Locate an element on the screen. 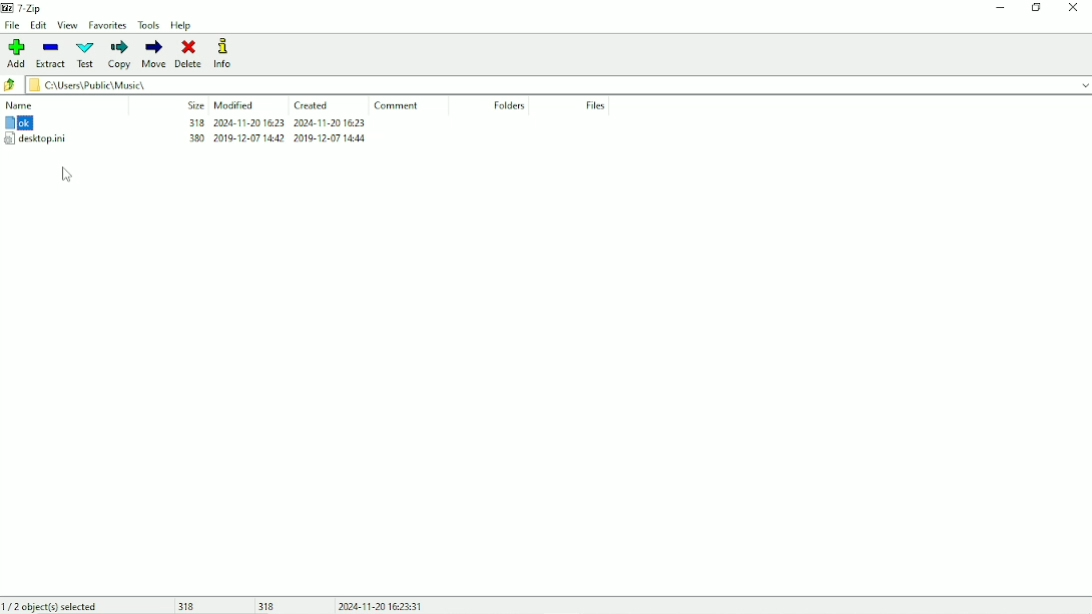  1/2 object(s) selected is located at coordinates (53, 606).